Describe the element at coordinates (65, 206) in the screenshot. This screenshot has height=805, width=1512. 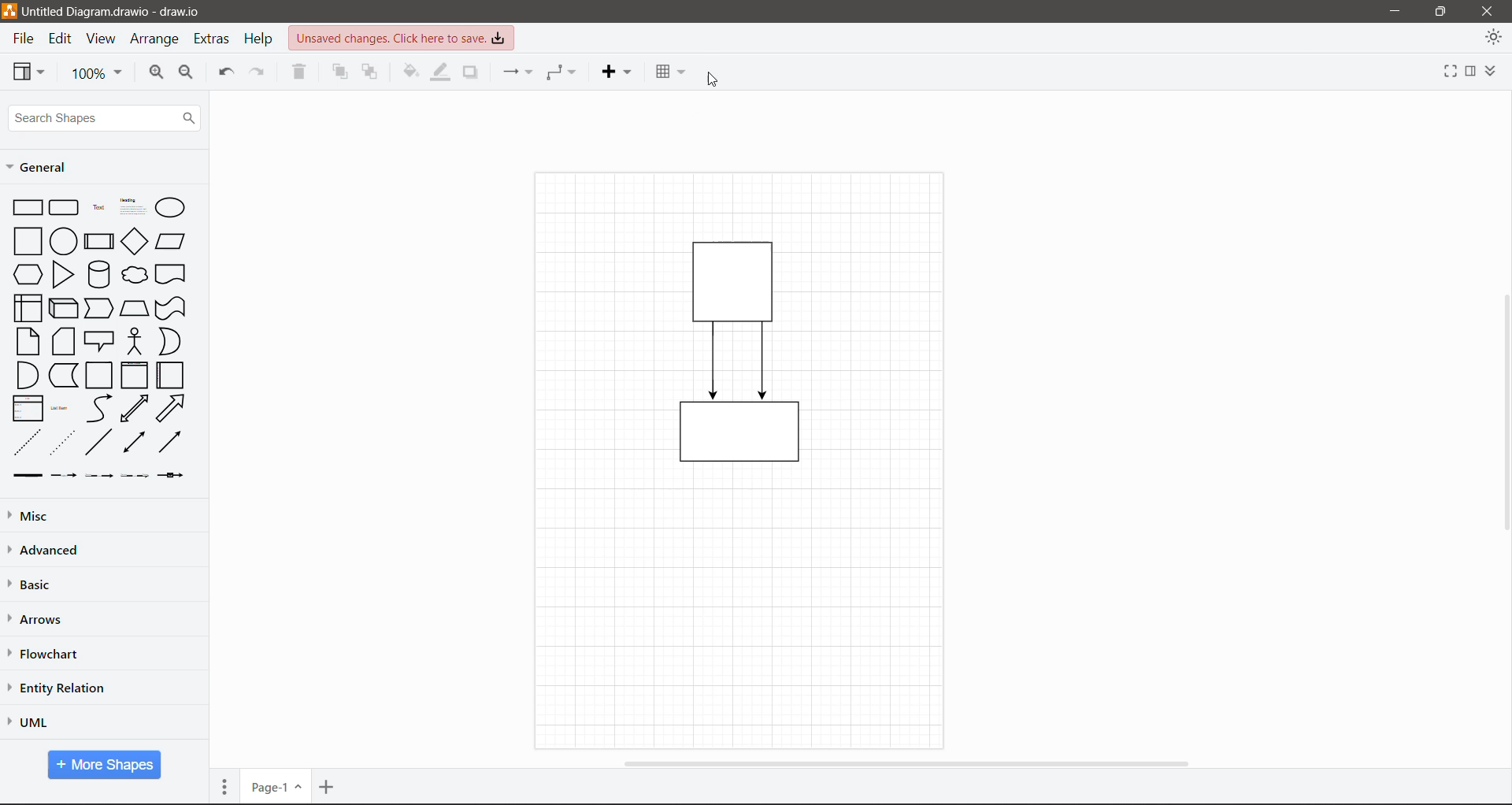
I see `Rounded Rectangle` at that location.